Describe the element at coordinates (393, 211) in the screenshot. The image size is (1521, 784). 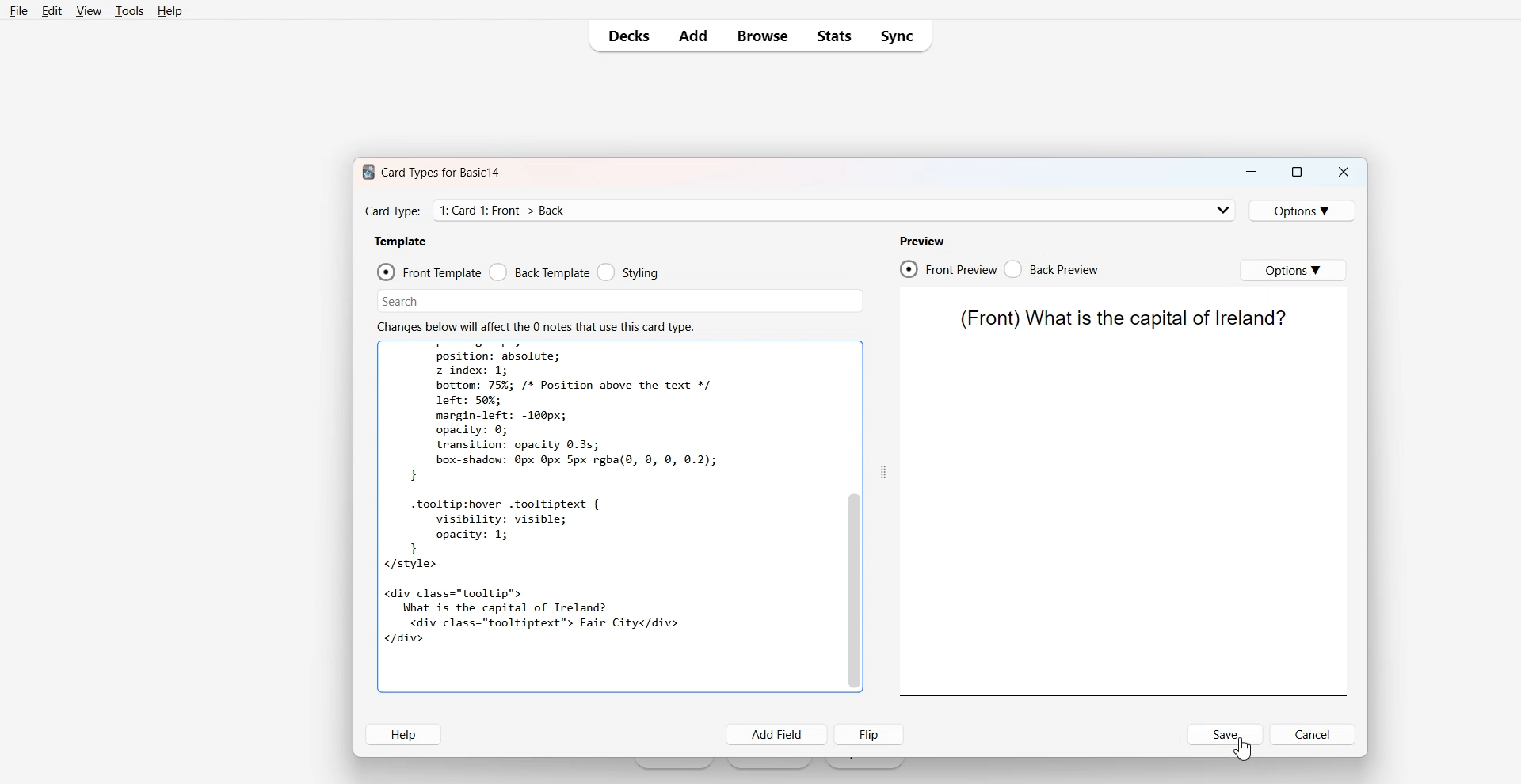
I see `Text` at that location.